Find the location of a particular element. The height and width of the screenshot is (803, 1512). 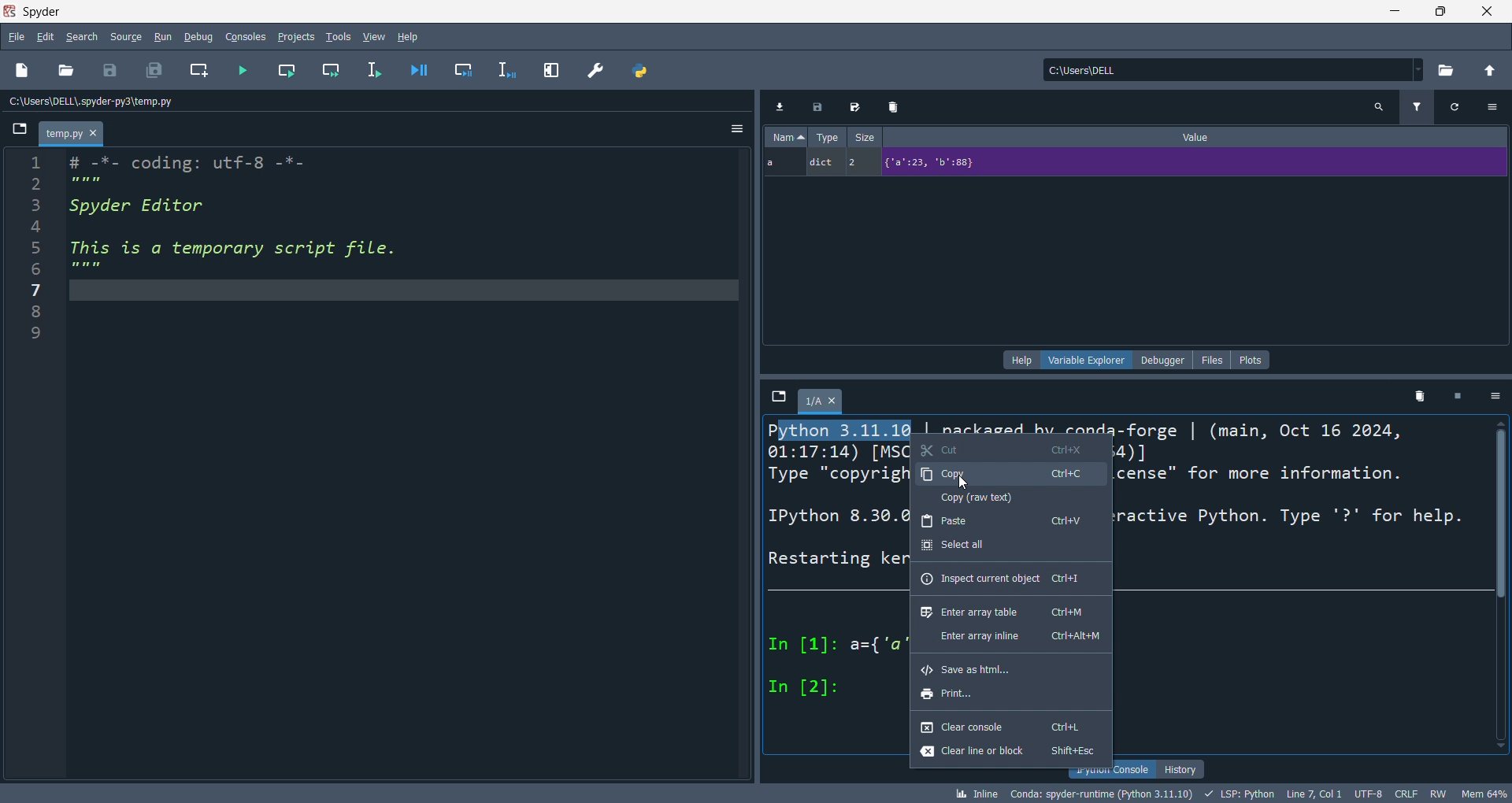

debug cell is located at coordinates (471, 69).